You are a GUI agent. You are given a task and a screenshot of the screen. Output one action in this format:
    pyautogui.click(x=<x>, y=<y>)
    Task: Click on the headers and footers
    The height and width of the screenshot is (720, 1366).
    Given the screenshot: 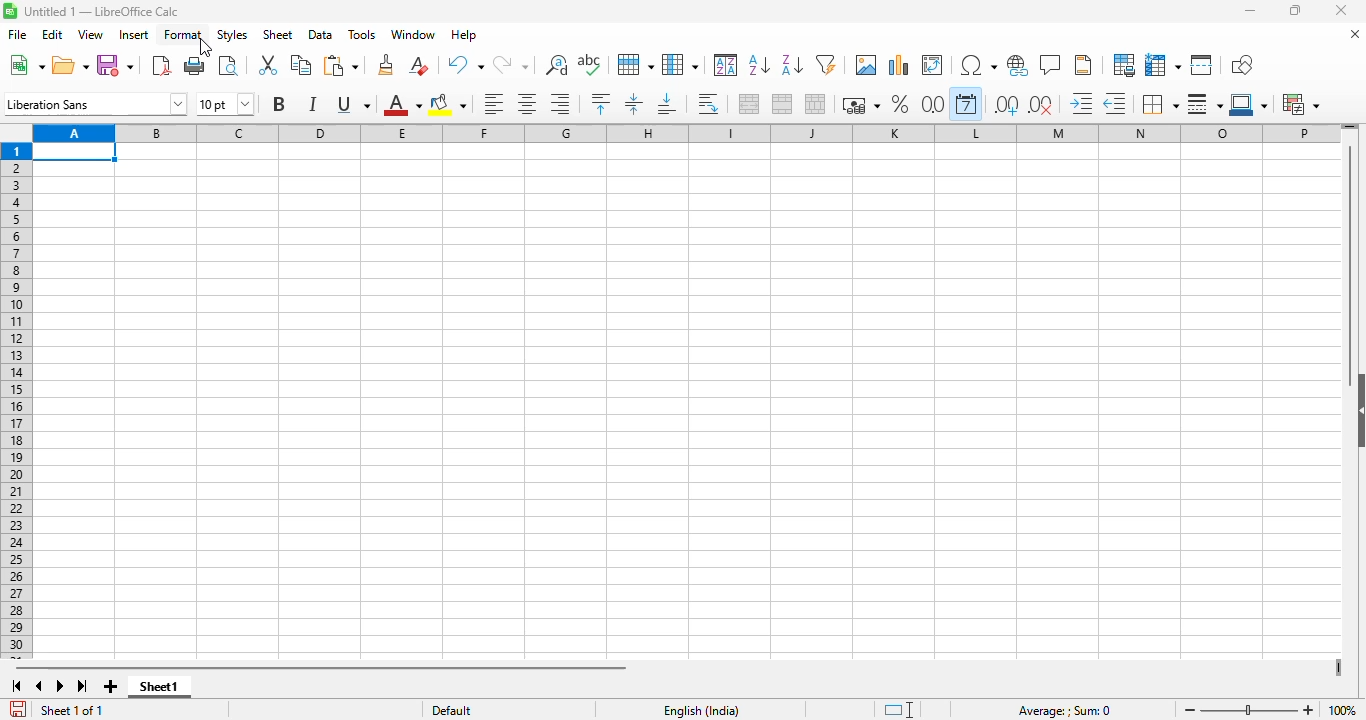 What is the action you would take?
    pyautogui.click(x=1083, y=65)
    